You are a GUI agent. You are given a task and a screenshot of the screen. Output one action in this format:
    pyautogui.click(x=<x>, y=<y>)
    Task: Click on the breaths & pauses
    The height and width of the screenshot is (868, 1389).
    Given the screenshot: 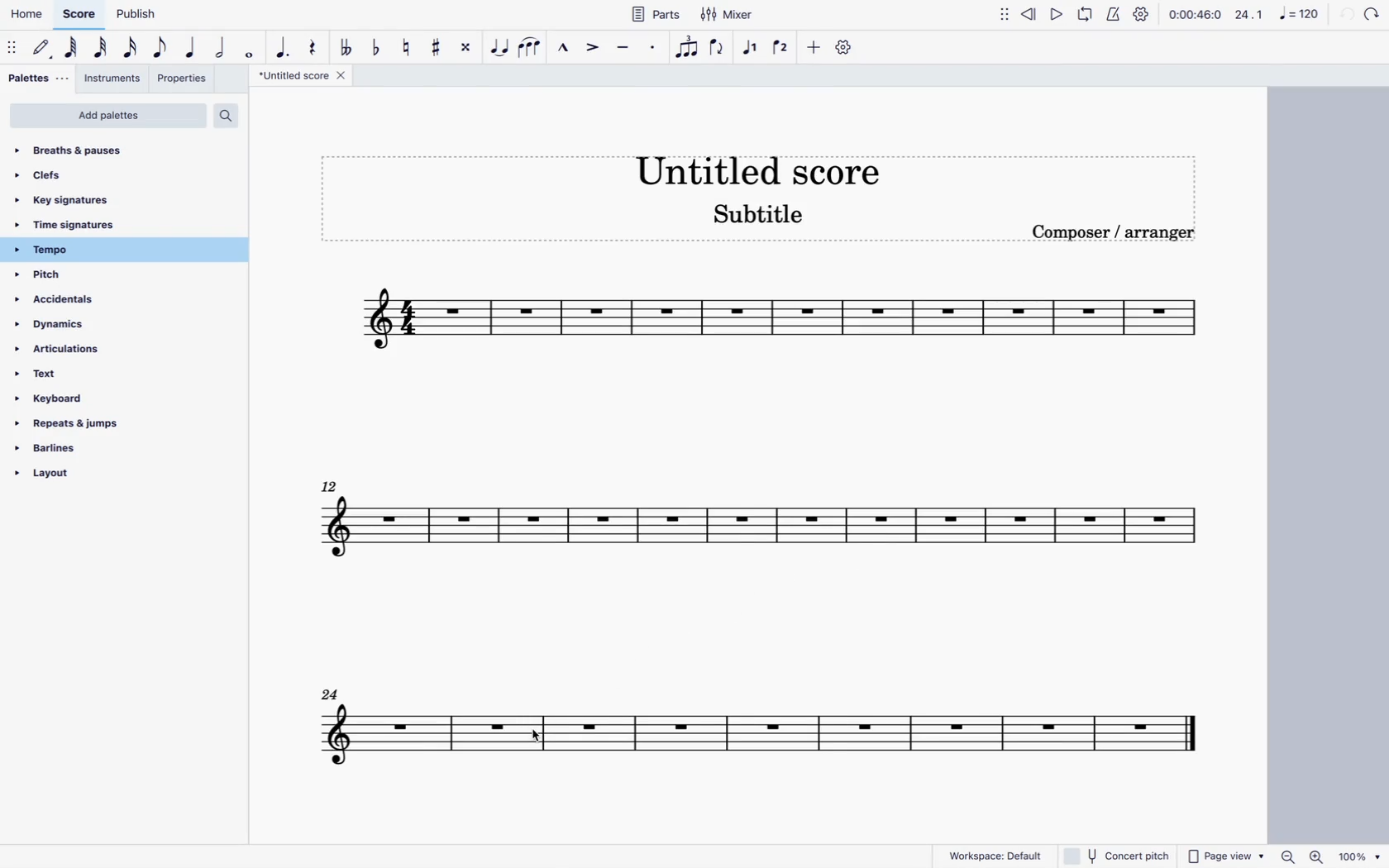 What is the action you would take?
    pyautogui.click(x=80, y=150)
    